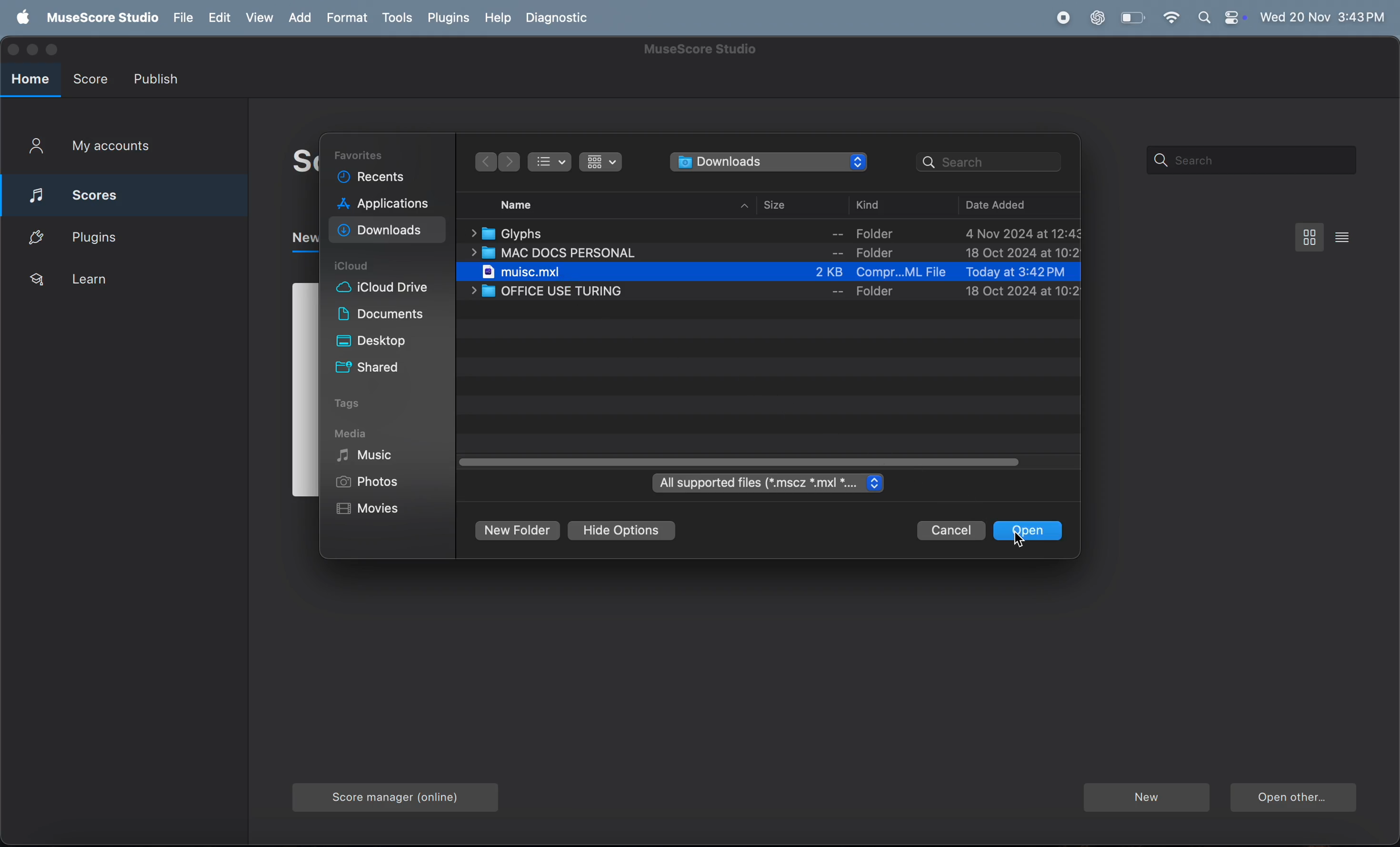  I want to click on score, so click(94, 81).